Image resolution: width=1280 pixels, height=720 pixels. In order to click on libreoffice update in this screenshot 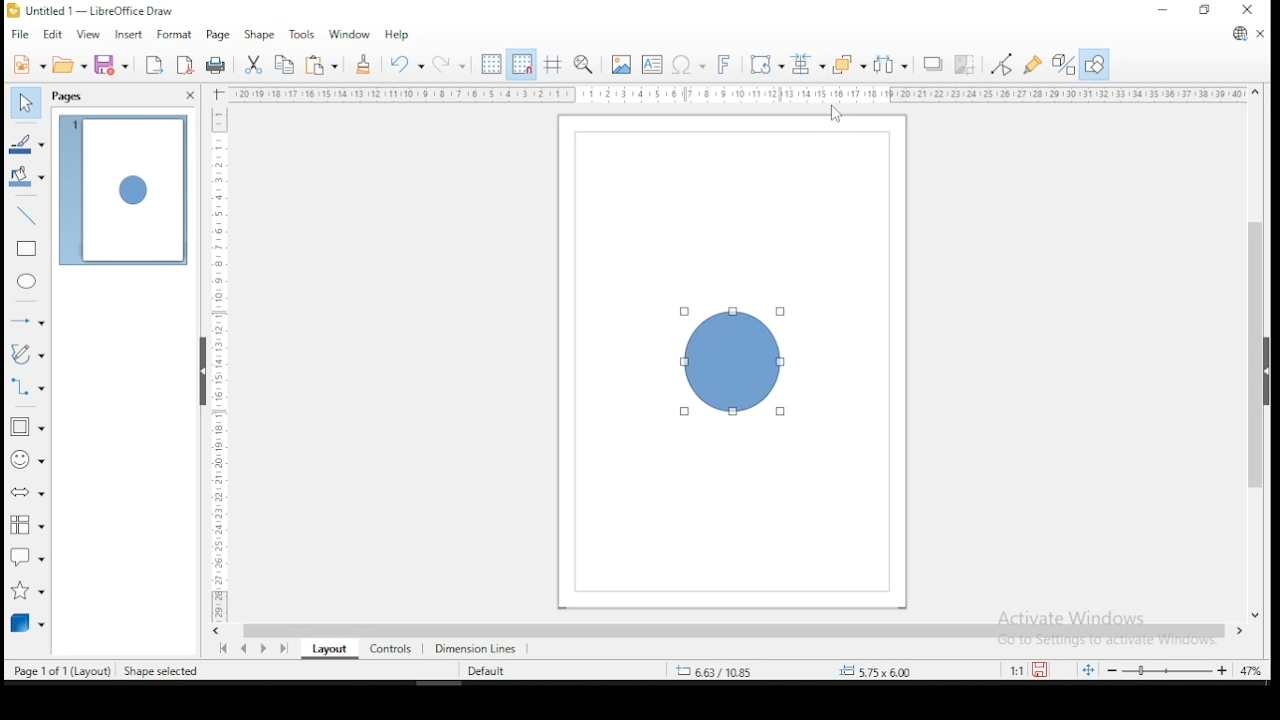, I will do `click(1239, 35)`.